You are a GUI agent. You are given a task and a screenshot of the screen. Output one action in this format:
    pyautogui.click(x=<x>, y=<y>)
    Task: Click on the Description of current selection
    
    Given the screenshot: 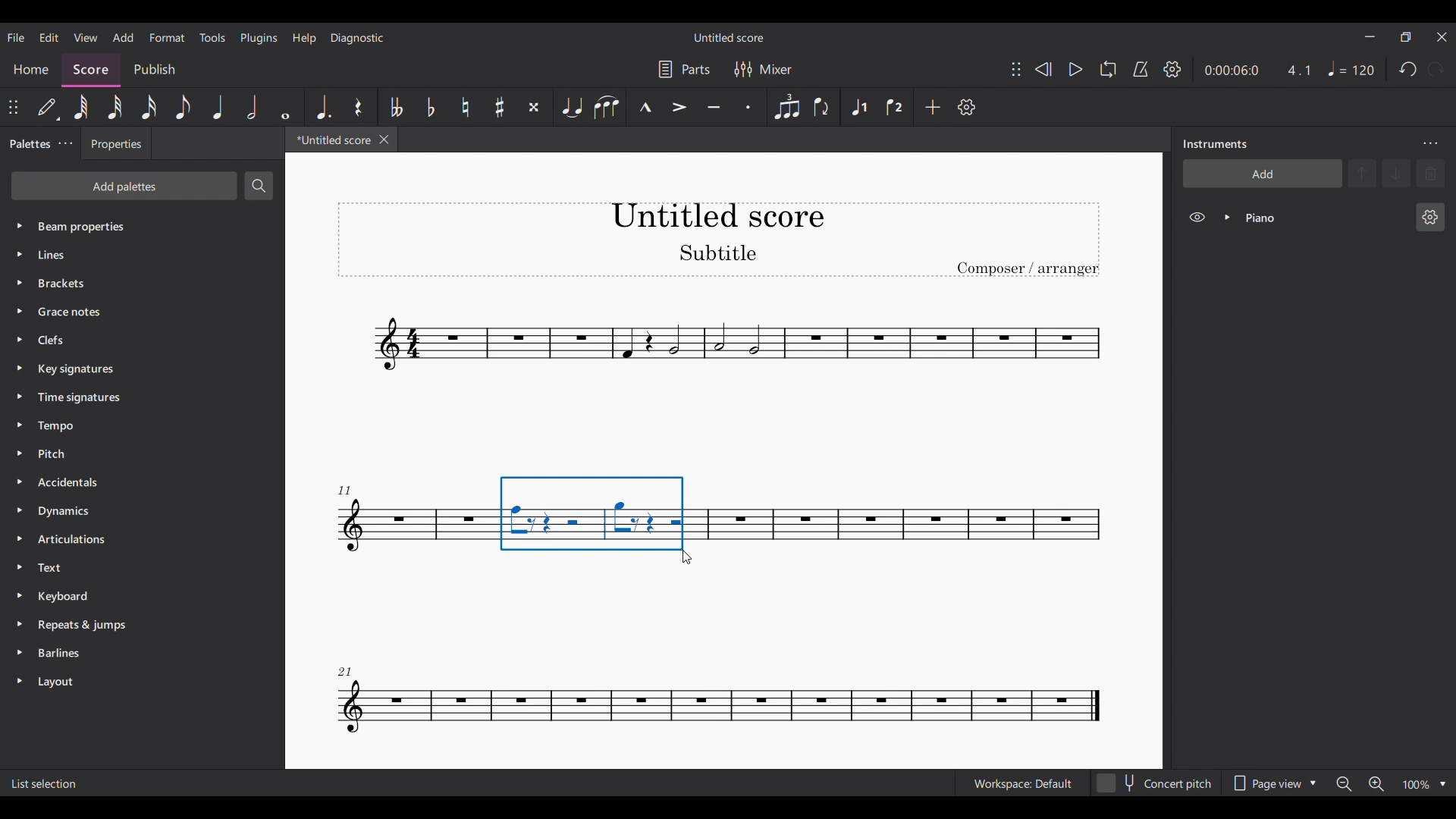 What is the action you would take?
    pyautogui.click(x=44, y=783)
    